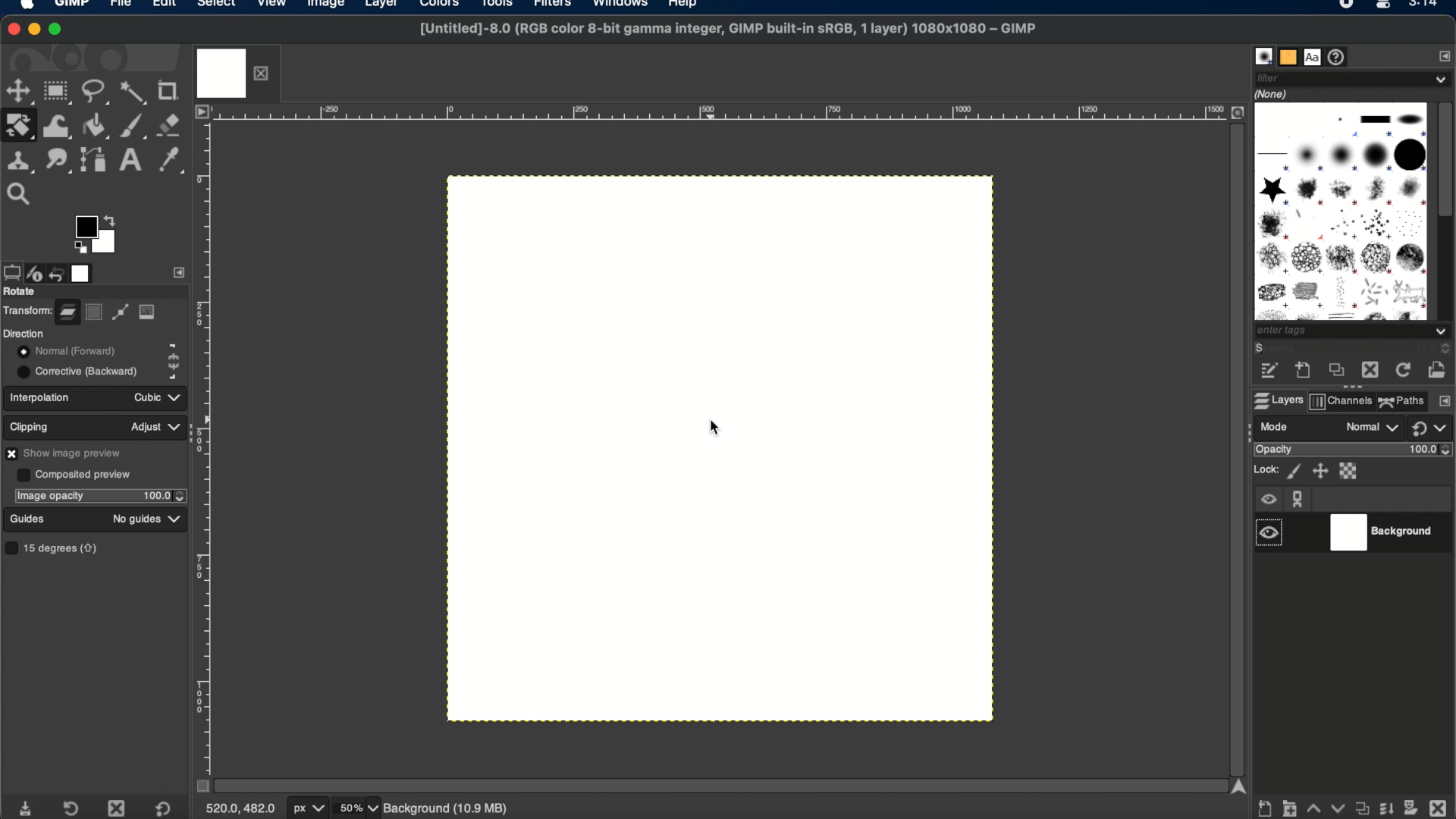 Image resolution: width=1456 pixels, height=819 pixels. Describe the element at coordinates (26, 8) in the screenshot. I see `apple logo` at that location.